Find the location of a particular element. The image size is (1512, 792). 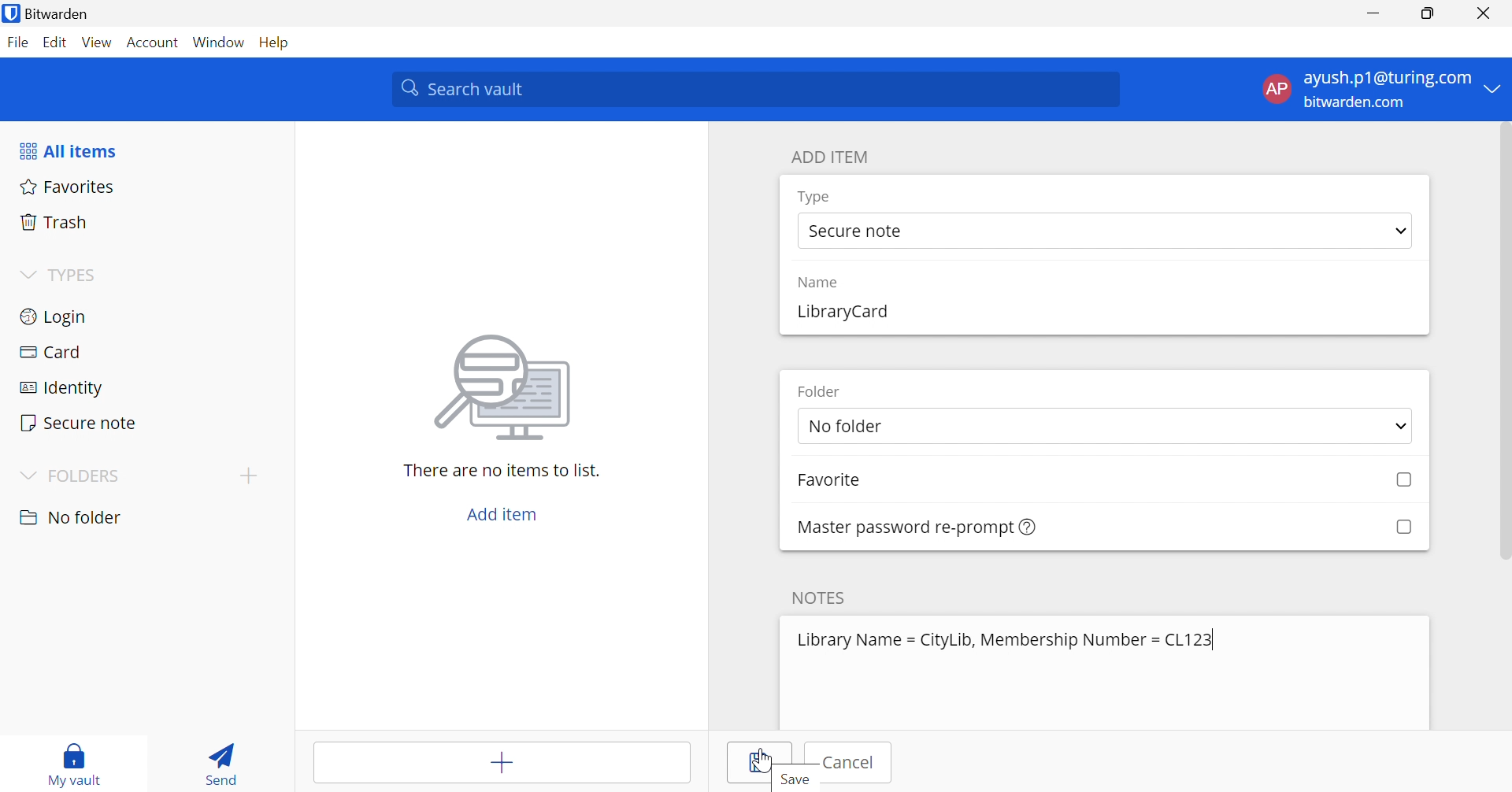

 is located at coordinates (824, 281).